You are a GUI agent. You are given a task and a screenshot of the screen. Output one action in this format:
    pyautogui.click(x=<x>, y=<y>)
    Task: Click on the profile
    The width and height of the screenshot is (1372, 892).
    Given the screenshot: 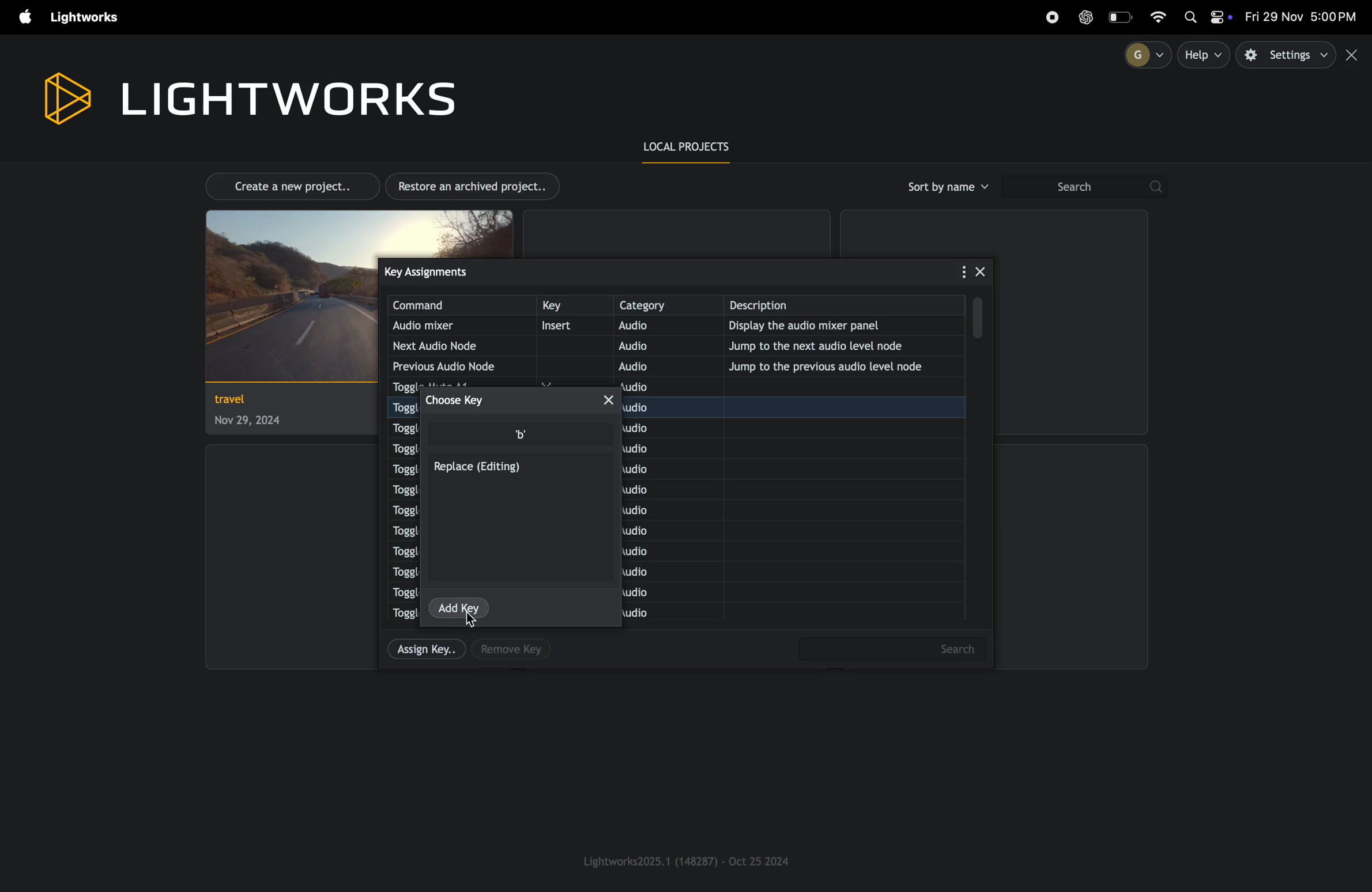 What is the action you would take?
    pyautogui.click(x=1143, y=54)
    